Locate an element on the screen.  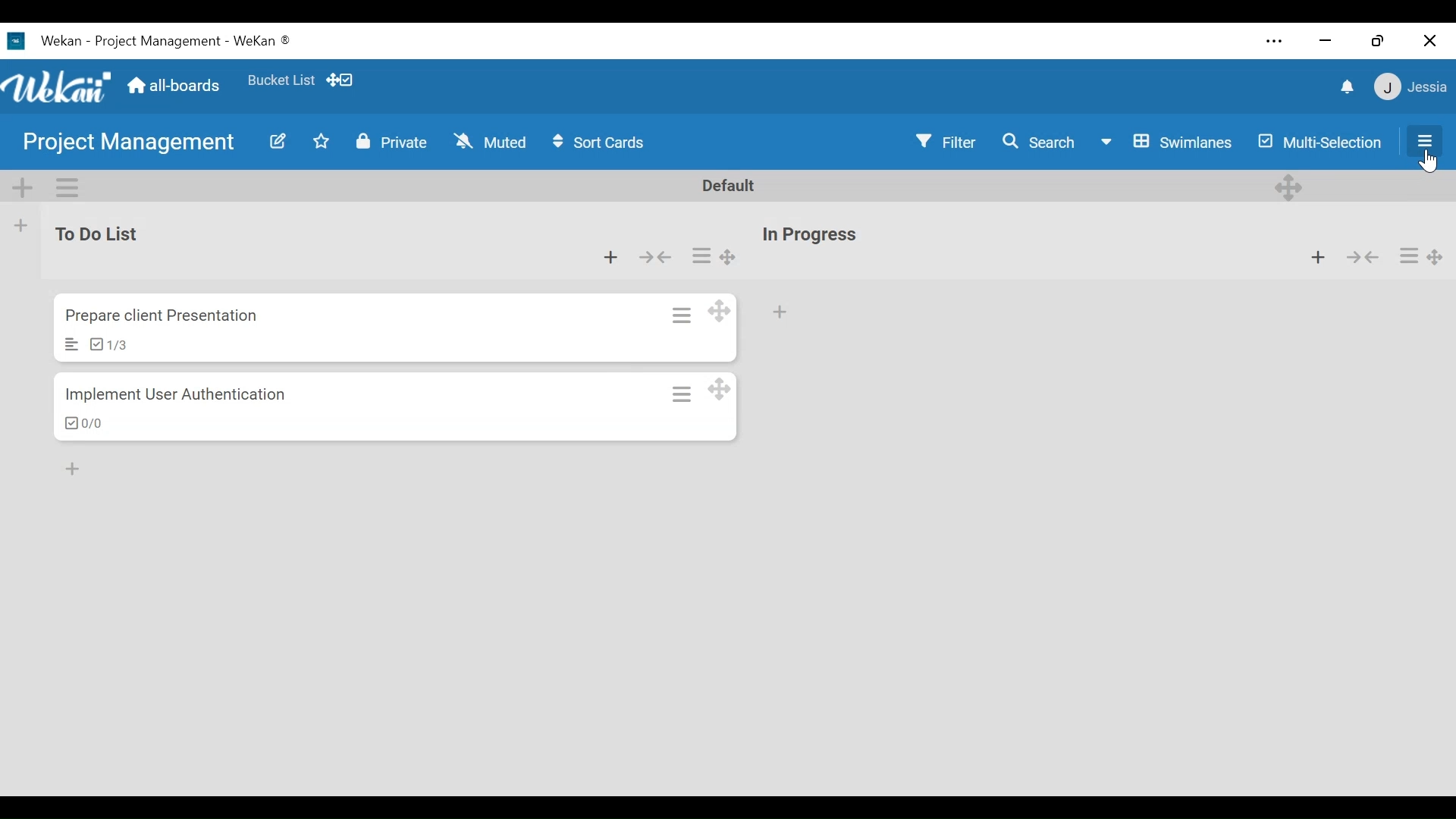
Board Title is located at coordinates (131, 145).